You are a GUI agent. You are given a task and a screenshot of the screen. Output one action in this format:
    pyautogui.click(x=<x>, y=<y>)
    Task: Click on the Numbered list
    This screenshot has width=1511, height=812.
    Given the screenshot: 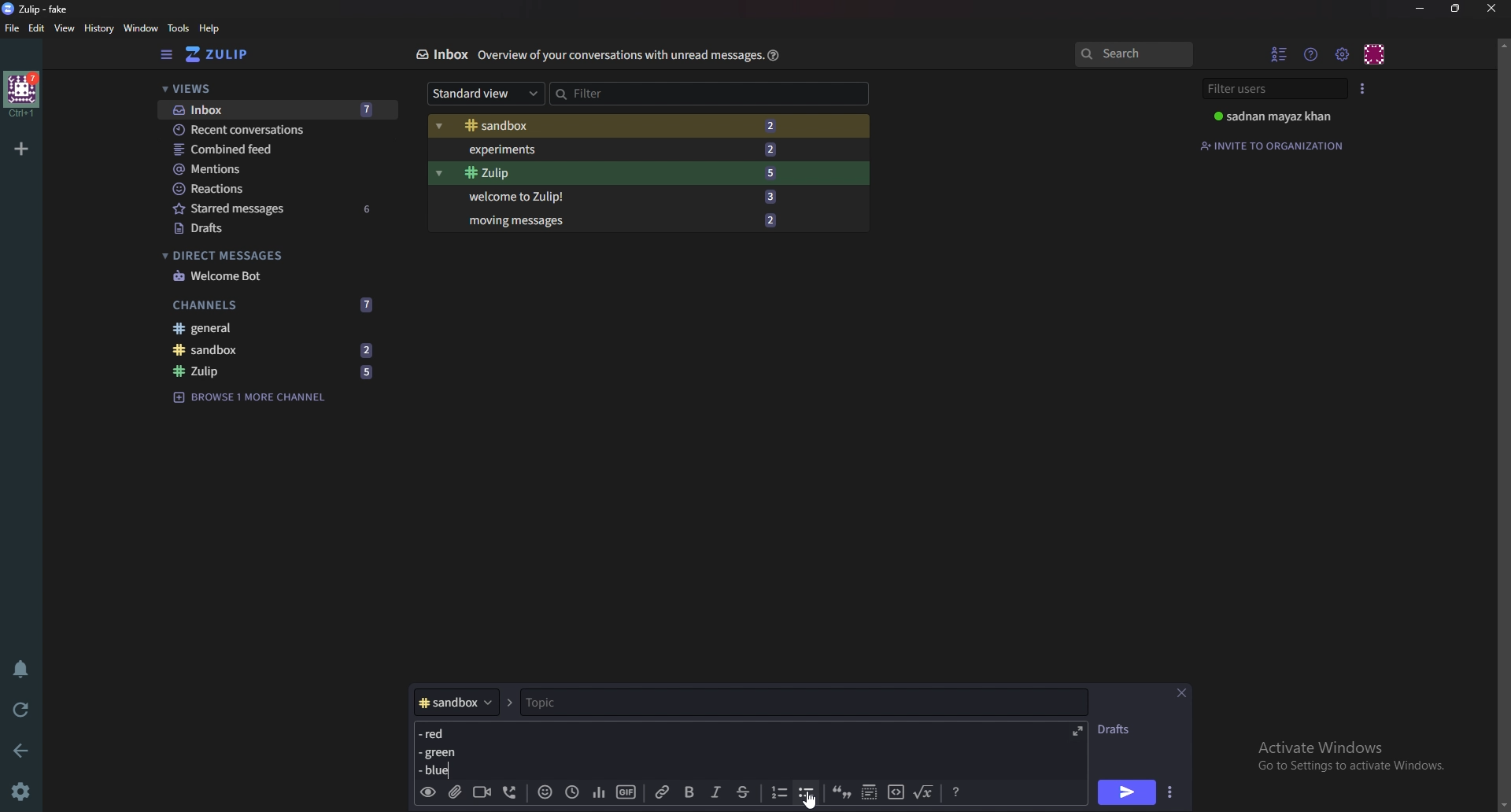 What is the action you would take?
    pyautogui.click(x=778, y=792)
    